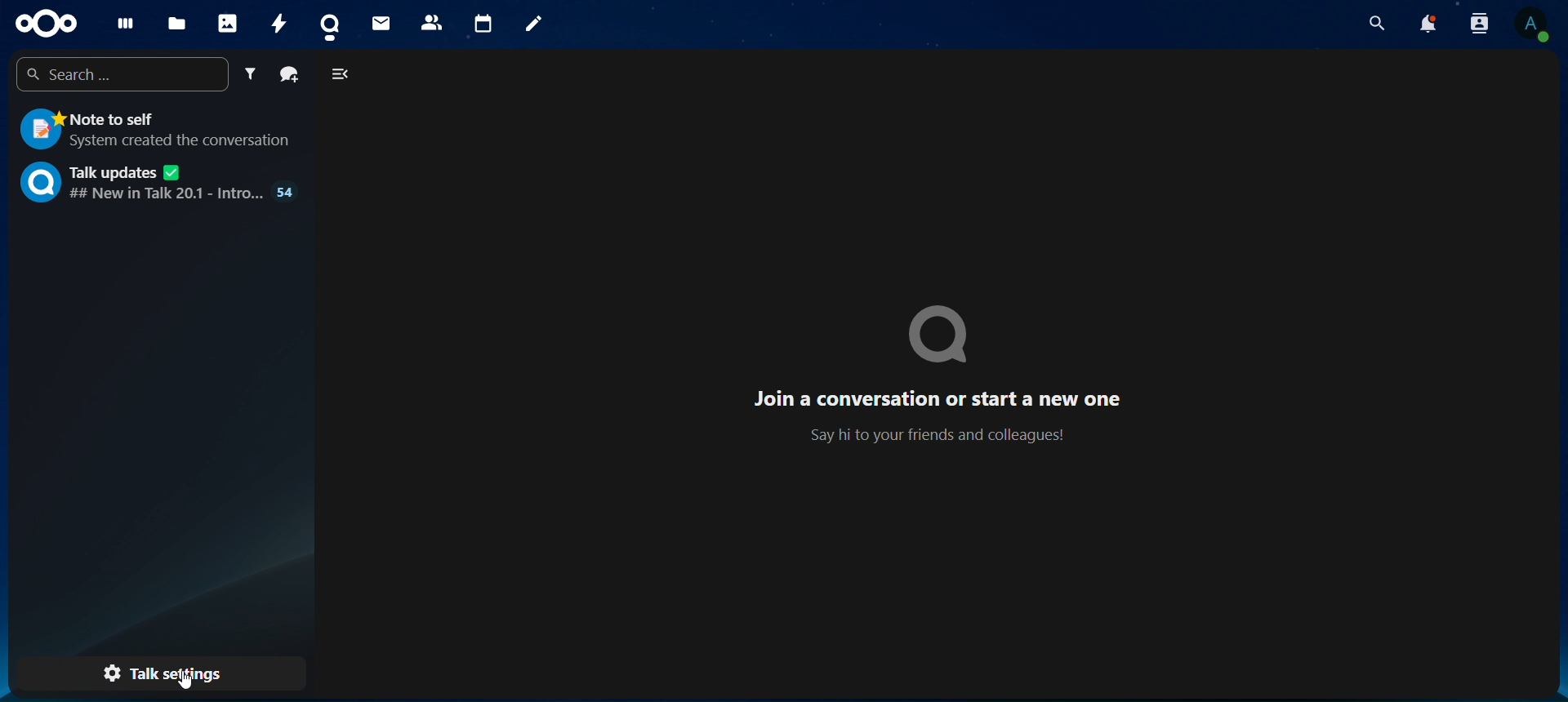 The image size is (1568, 702). Describe the element at coordinates (430, 22) in the screenshot. I see `contacts` at that location.